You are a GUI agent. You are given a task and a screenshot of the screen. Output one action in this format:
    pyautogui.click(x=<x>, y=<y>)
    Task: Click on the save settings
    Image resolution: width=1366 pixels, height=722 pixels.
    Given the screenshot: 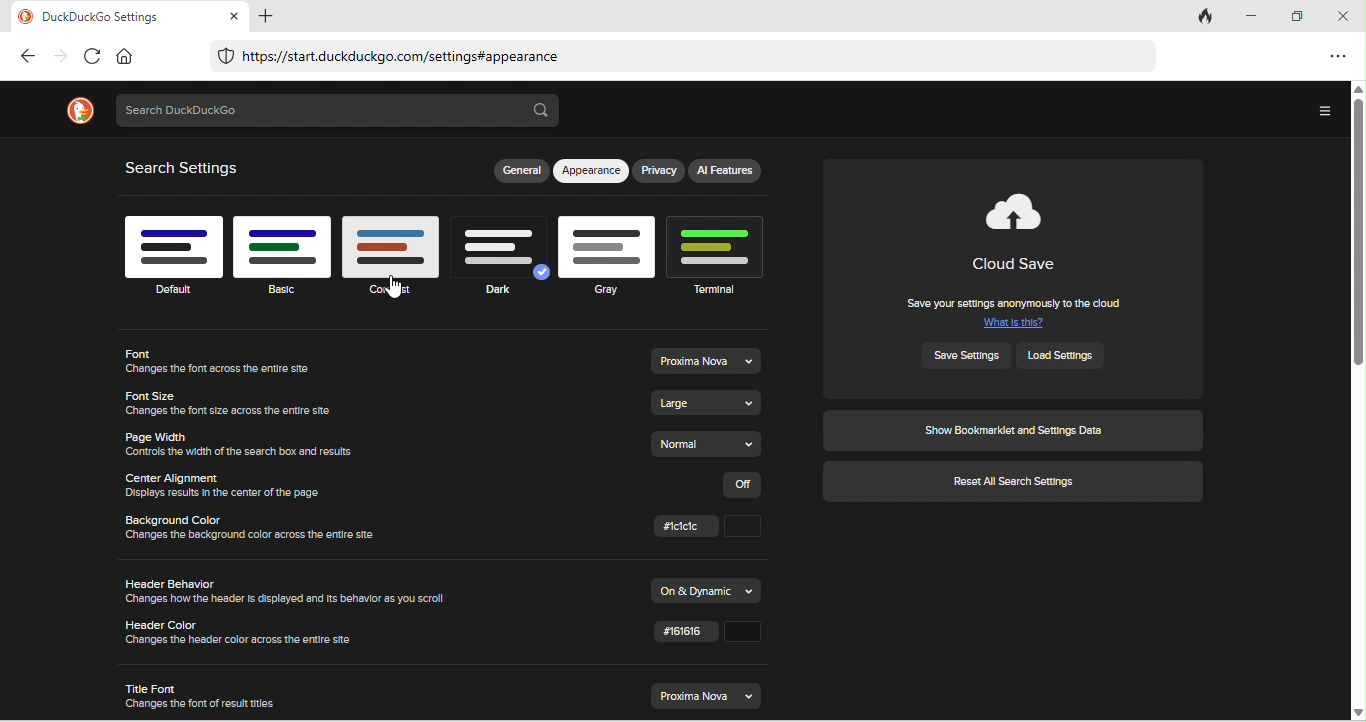 What is the action you would take?
    pyautogui.click(x=968, y=355)
    